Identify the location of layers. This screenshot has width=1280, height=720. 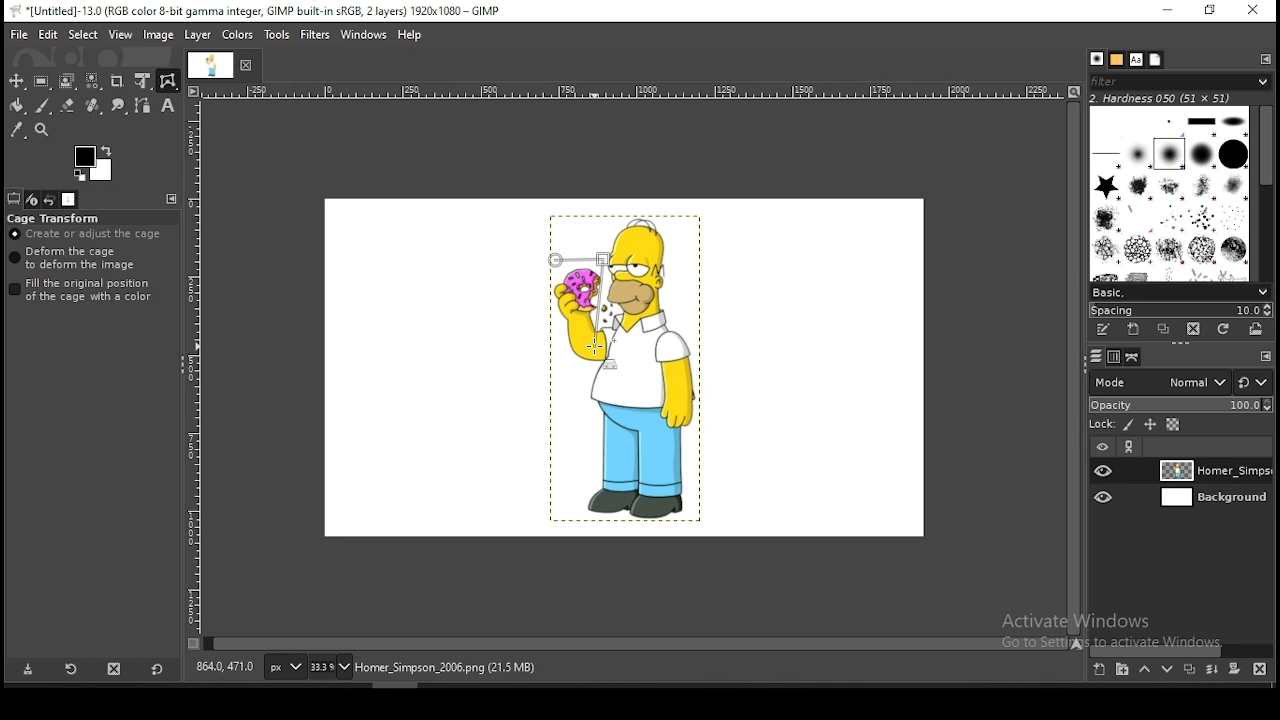
(1093, 356).